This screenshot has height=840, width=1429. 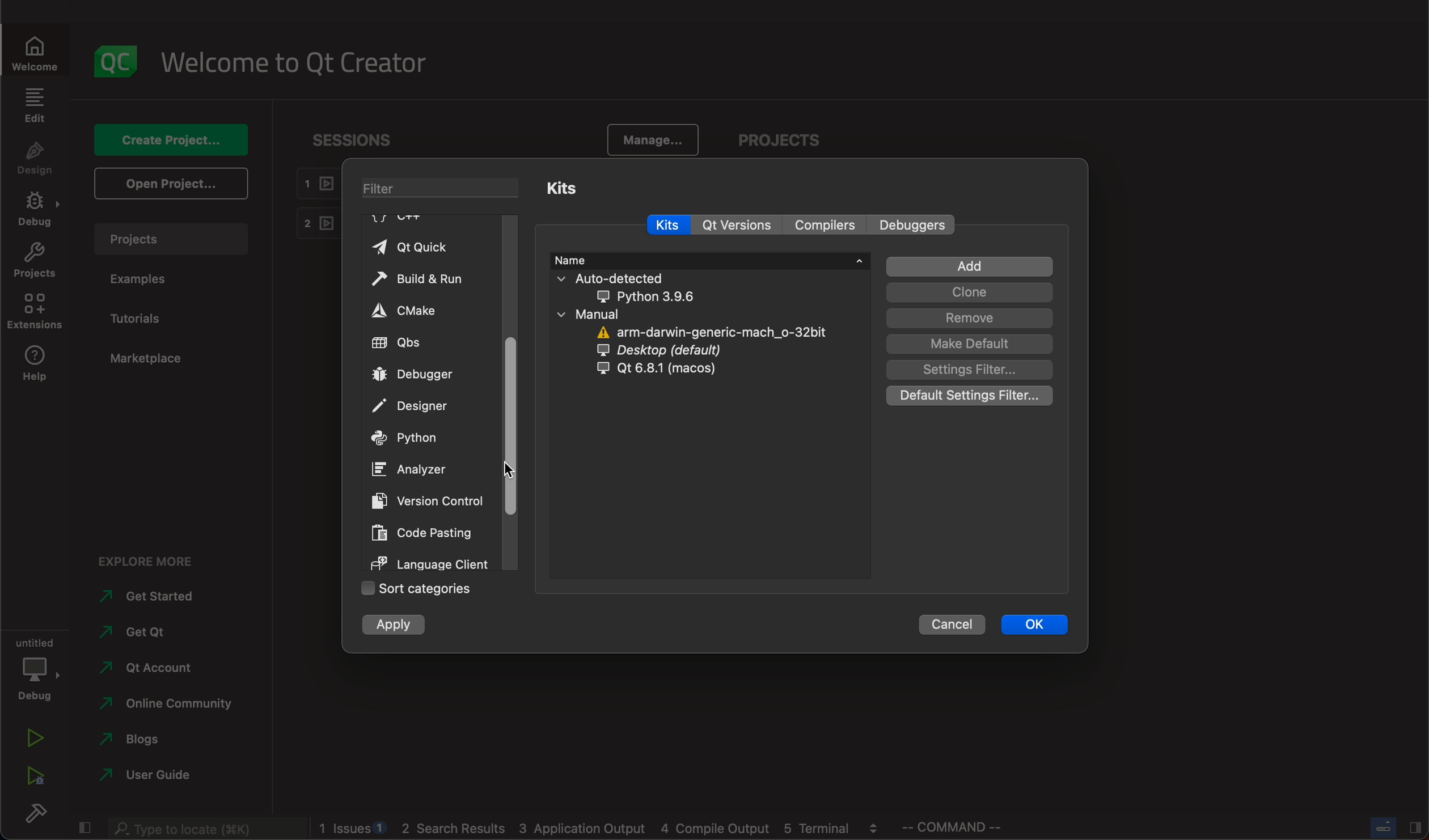 What do you see at coordinates (408, 217) in the screenshot?
I see `C++` at bounding box center [408, 217].